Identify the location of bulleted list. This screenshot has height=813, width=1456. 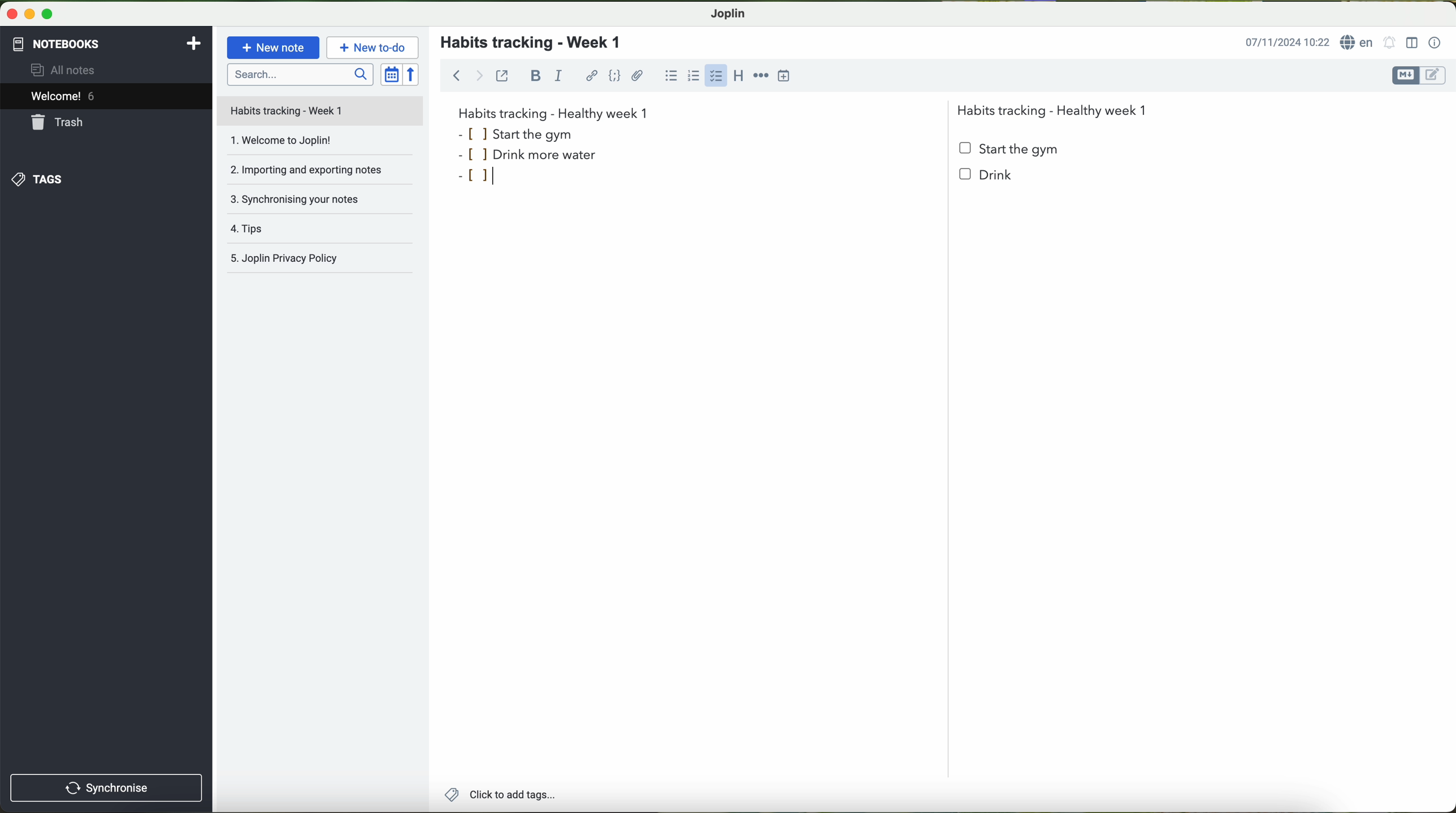
(671, 75).